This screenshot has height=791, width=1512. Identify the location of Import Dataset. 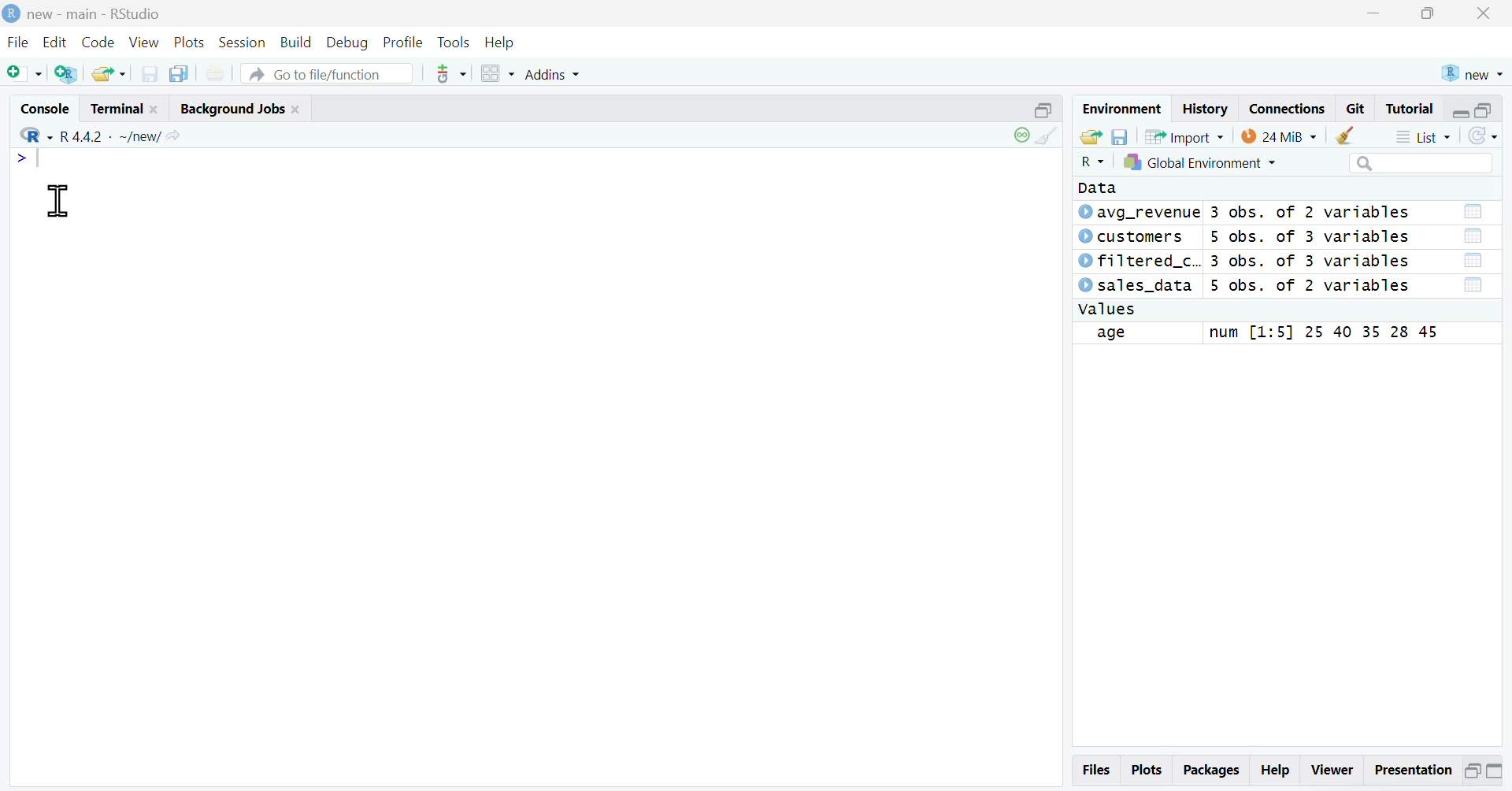
(1186, 137).